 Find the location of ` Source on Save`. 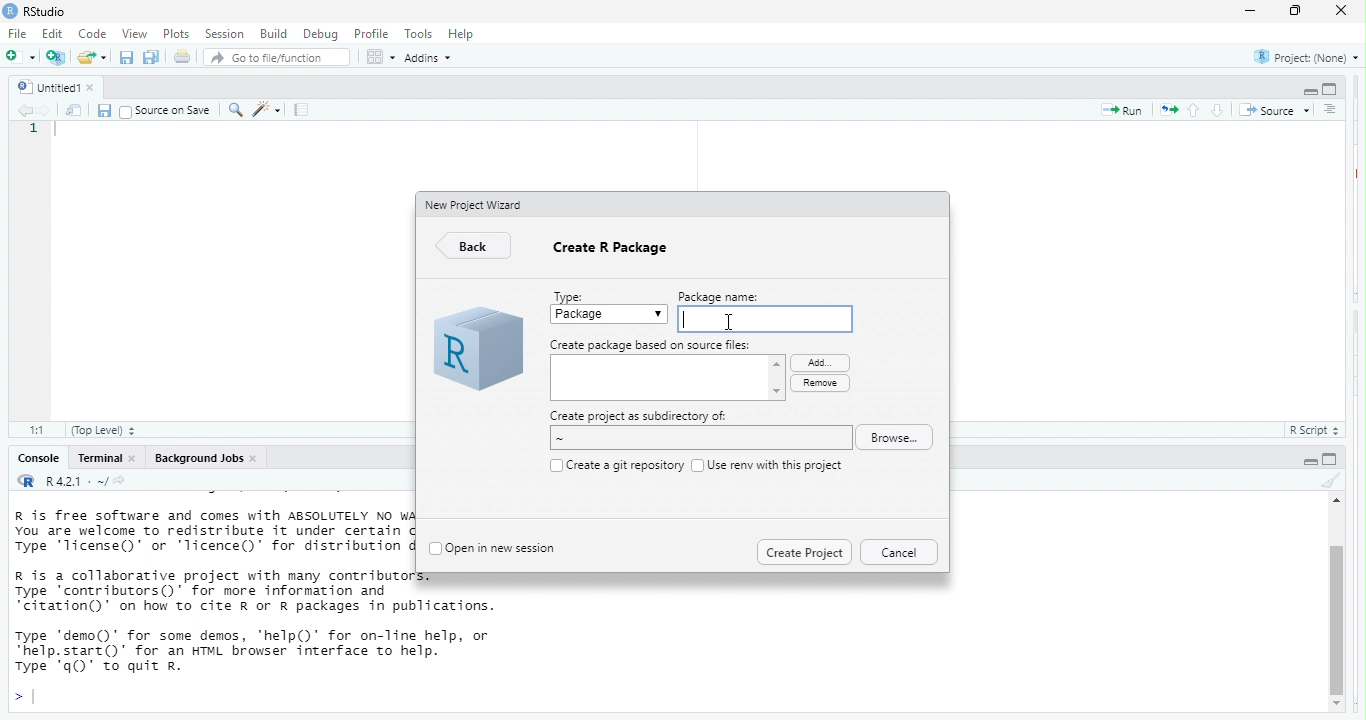

 Source on Save is located at coordinates (166, 111).